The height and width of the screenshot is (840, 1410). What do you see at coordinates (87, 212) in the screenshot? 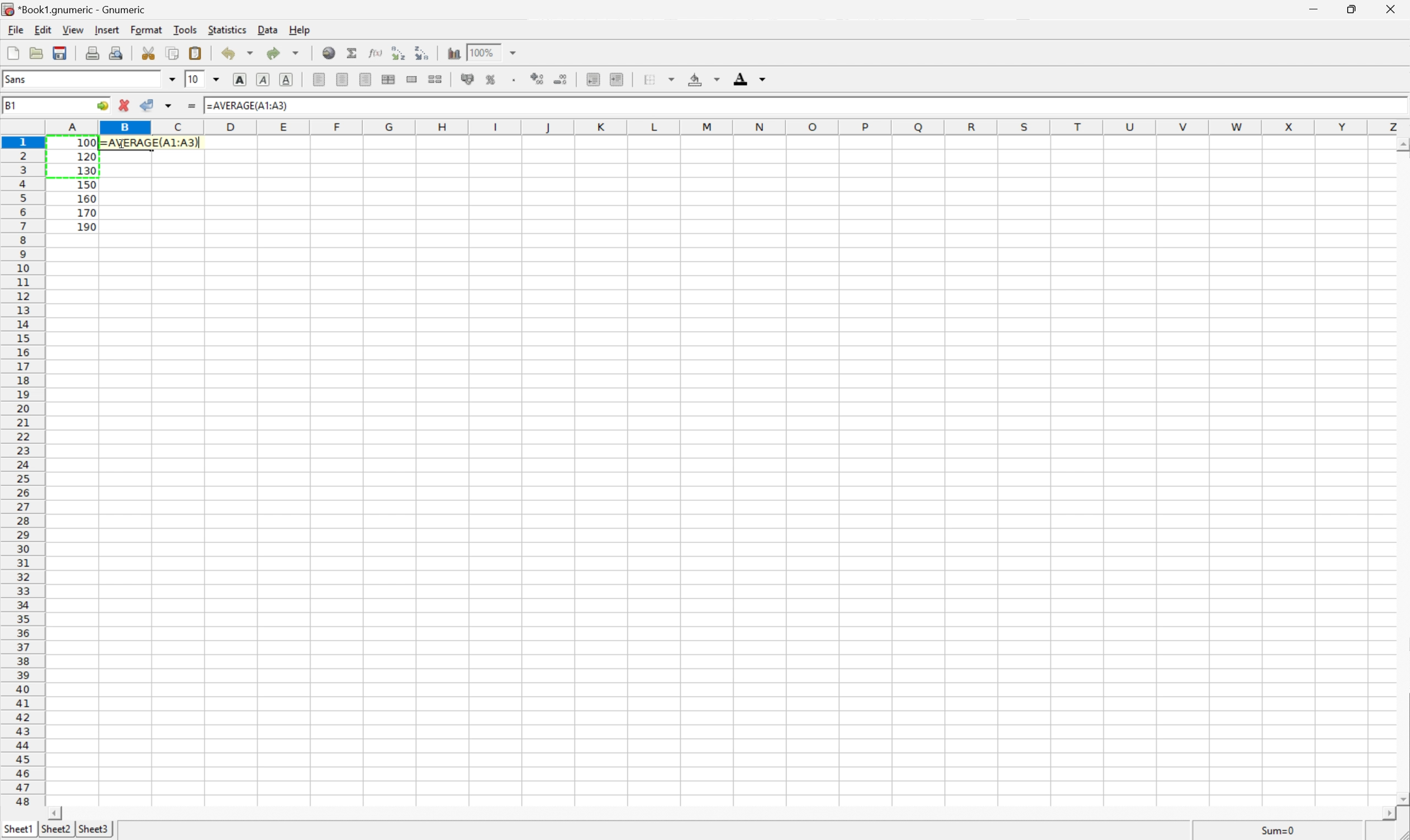
I see `170` at bounding box center [87, 212].